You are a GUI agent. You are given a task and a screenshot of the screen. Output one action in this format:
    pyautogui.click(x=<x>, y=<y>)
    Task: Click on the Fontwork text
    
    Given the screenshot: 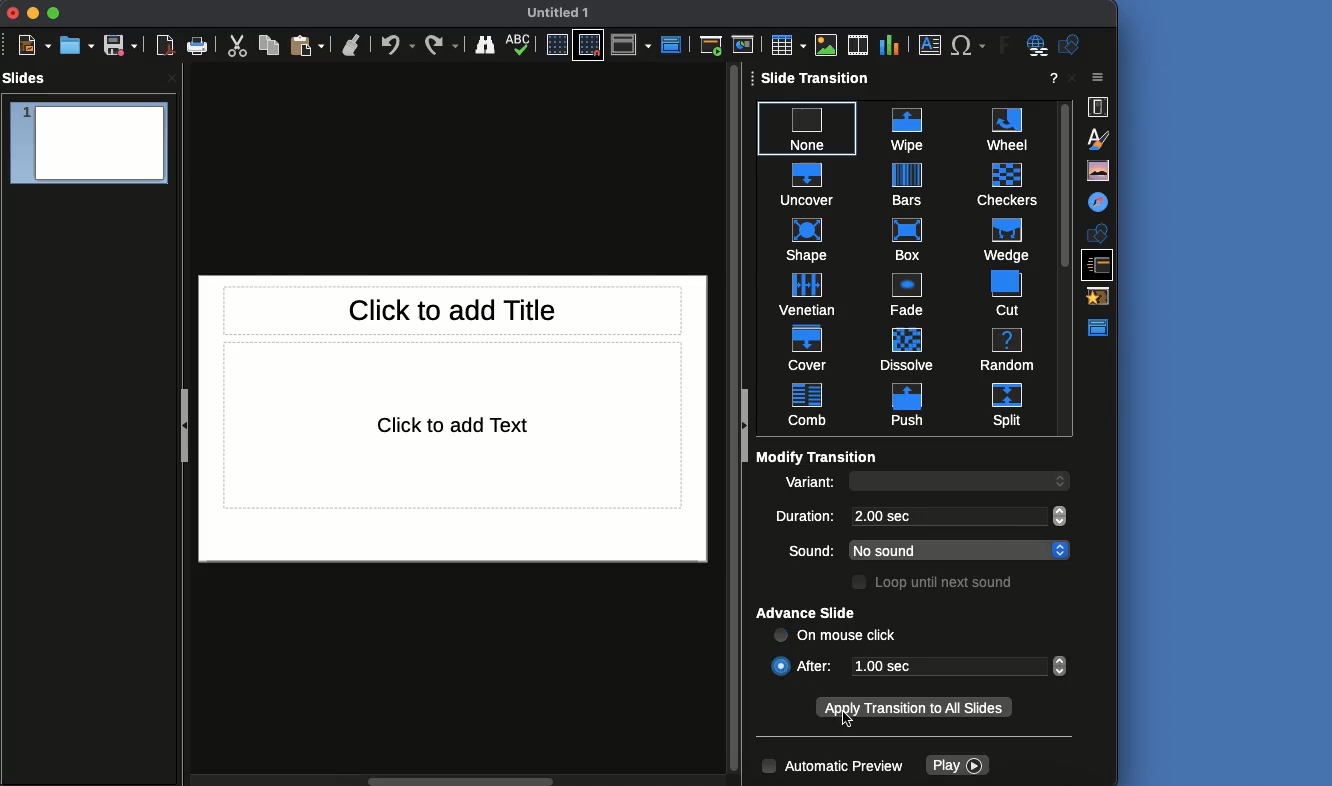 What is the action you would take?
    pyautogui.click(x=1000, y=47)
    